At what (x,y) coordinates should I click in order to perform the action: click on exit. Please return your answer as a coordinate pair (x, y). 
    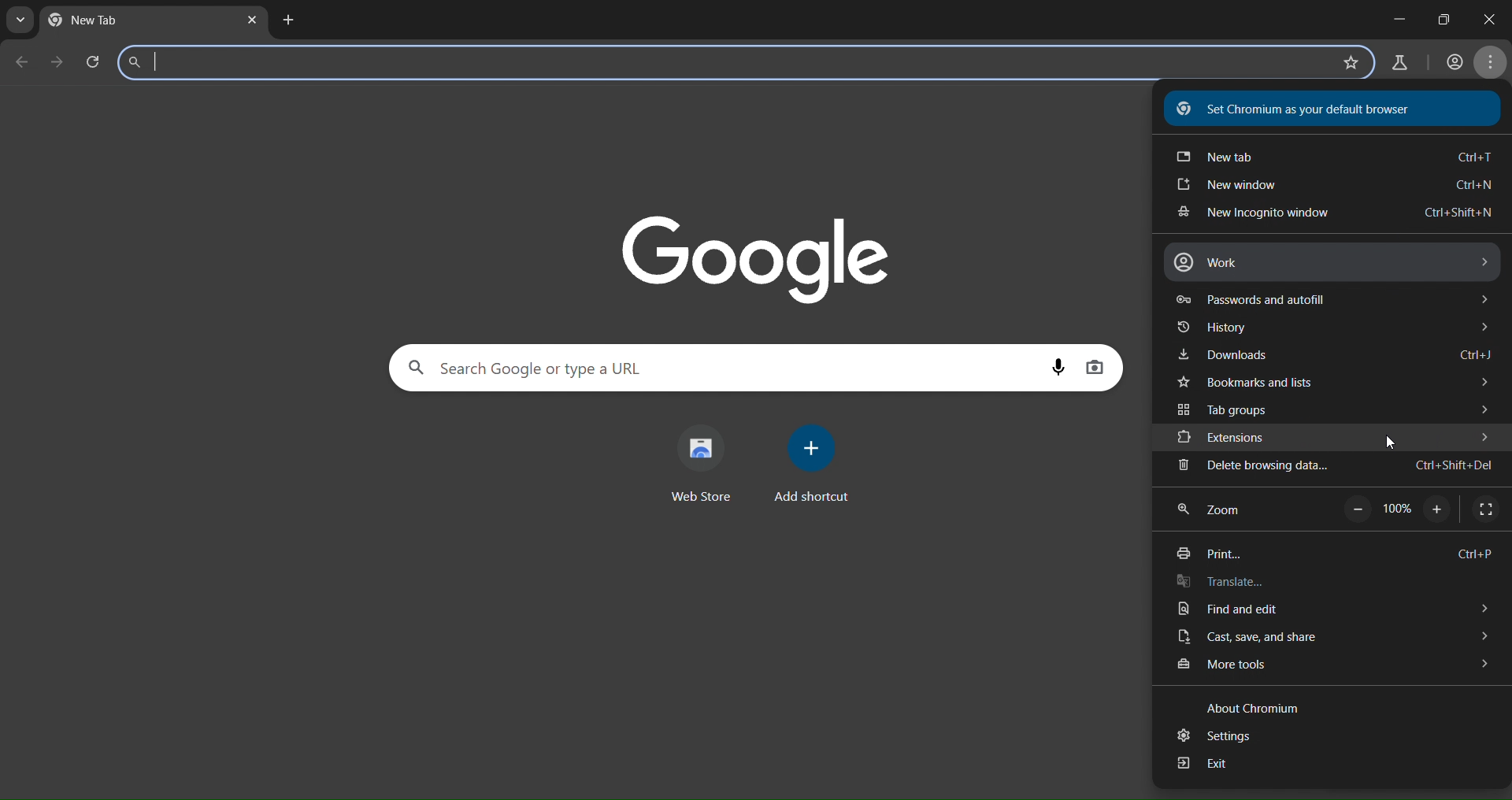
    Looking at the image, I should click on (1219, 768).